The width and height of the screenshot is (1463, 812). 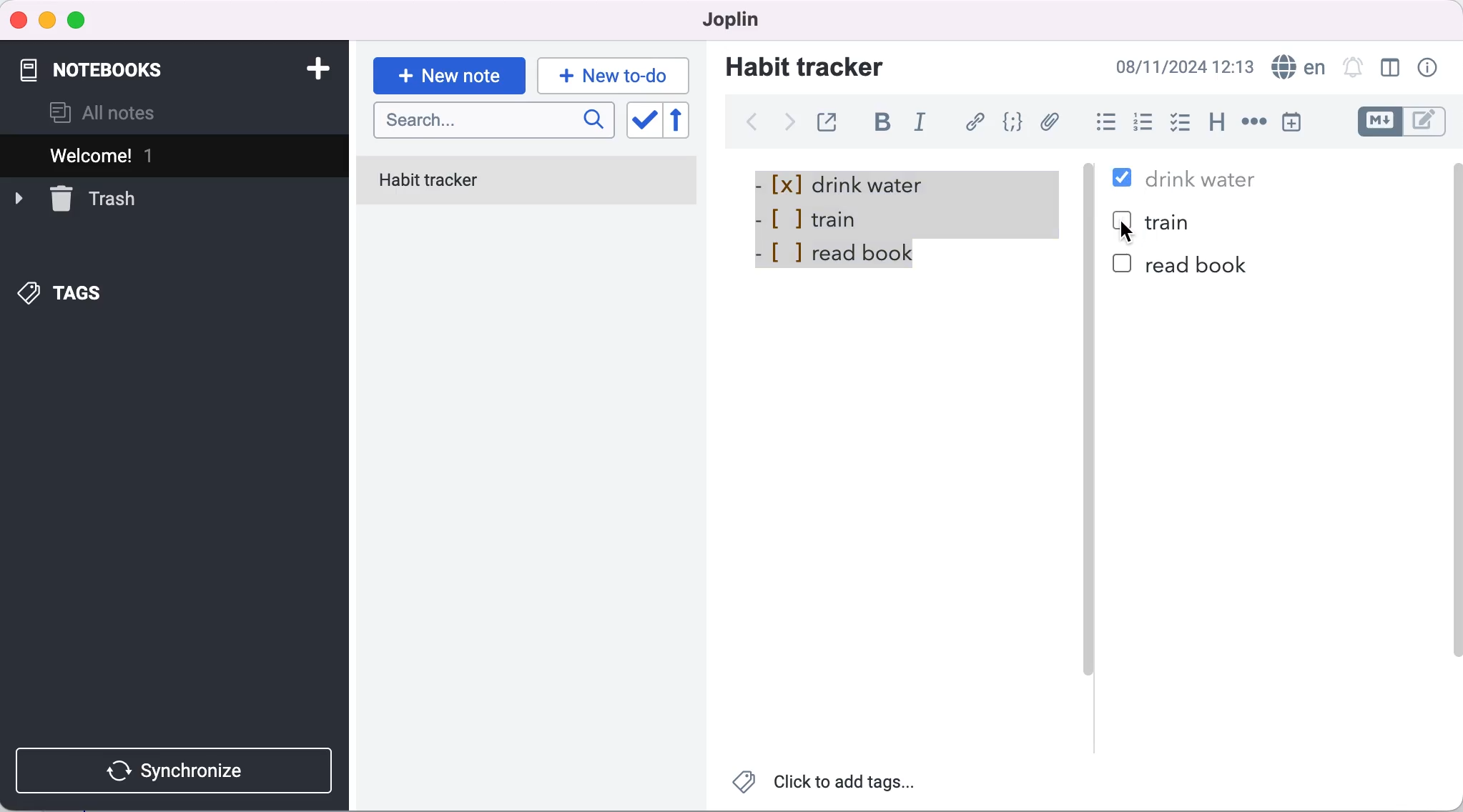 What do you see at coordinates (1123, 264) in the screenshot?
I see `check box 3` at bounding box center [1123, 264].